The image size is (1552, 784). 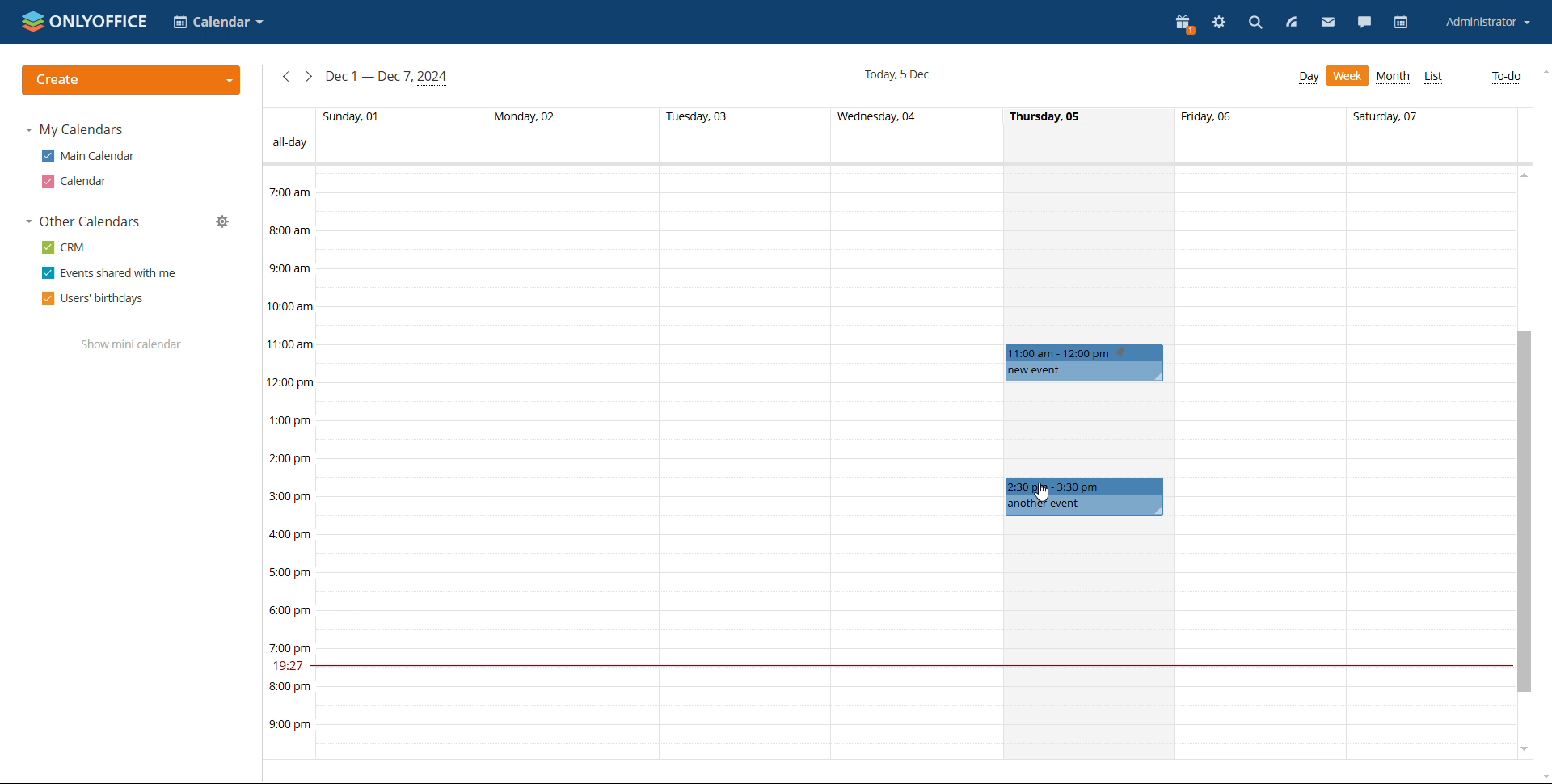 What do you see at coordinates (93, 299) in the screenshot?
I see `users' birthdays` at bounding box center [93, 299].